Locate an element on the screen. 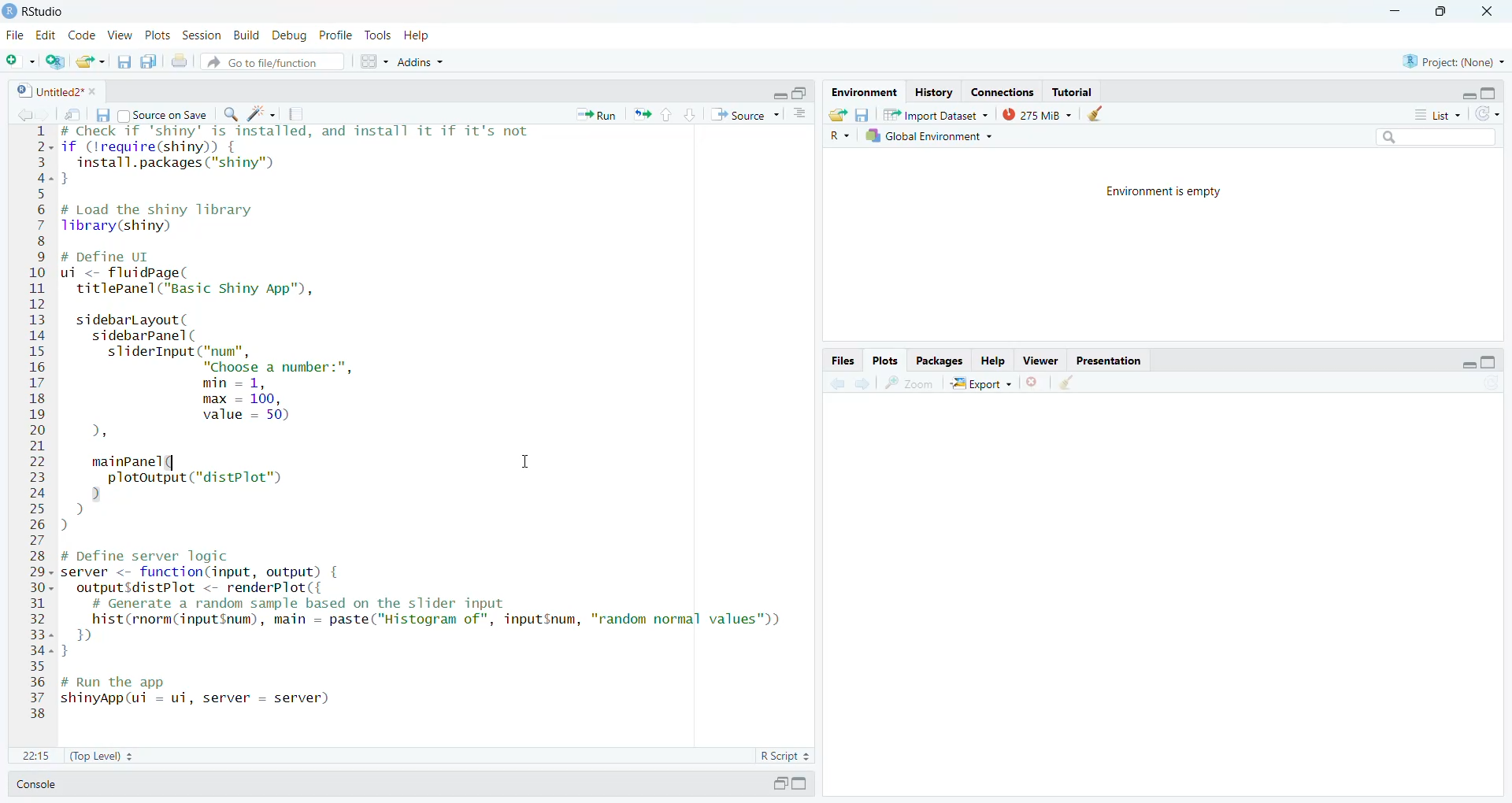 Image resolution: width=1512 pixels, height=803 pixels. Plots is located at coordinates (157, 35).